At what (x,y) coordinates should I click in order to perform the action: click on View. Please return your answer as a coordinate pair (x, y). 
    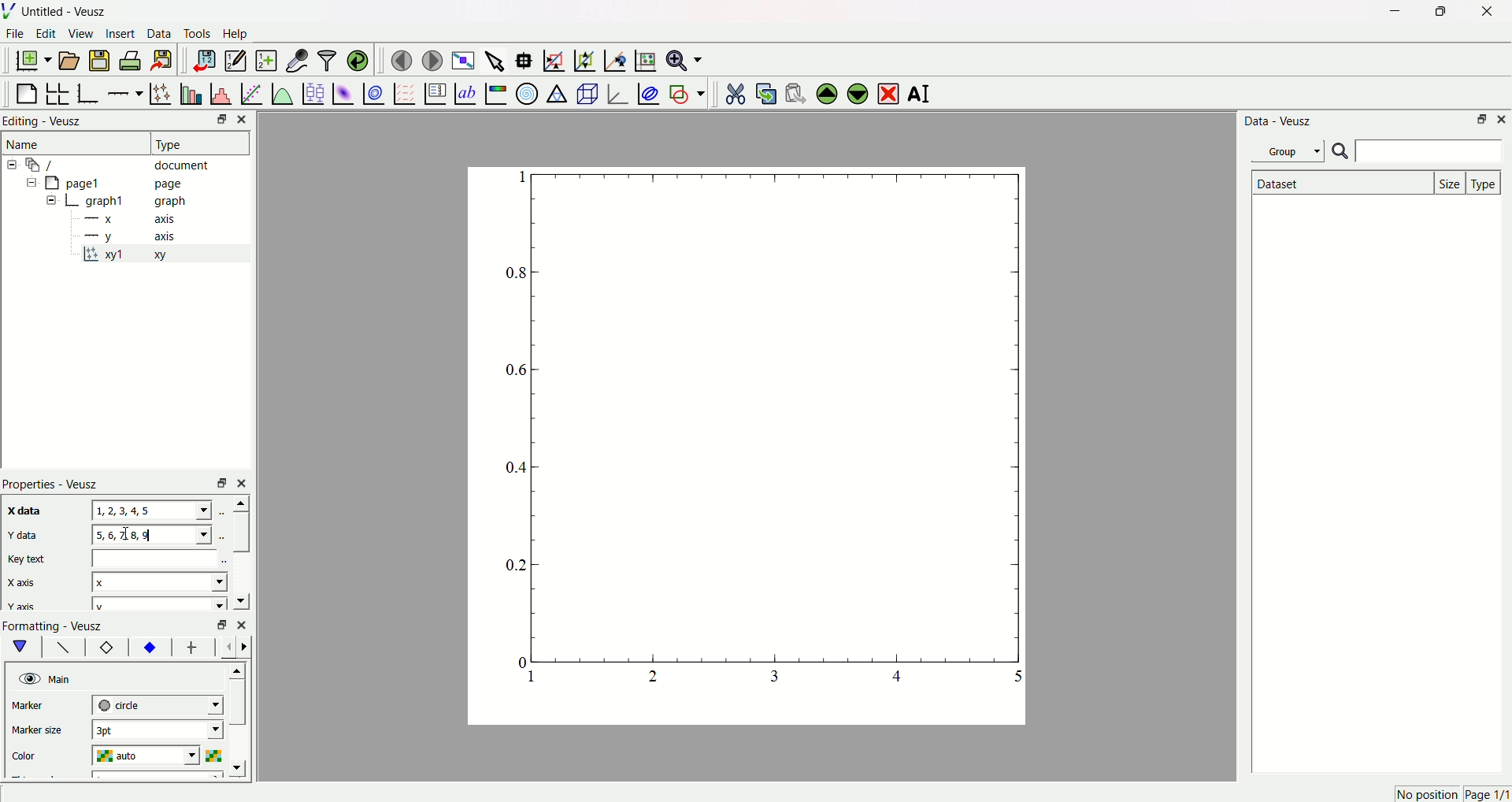
    Looking at the image, I should click on (81, 35).